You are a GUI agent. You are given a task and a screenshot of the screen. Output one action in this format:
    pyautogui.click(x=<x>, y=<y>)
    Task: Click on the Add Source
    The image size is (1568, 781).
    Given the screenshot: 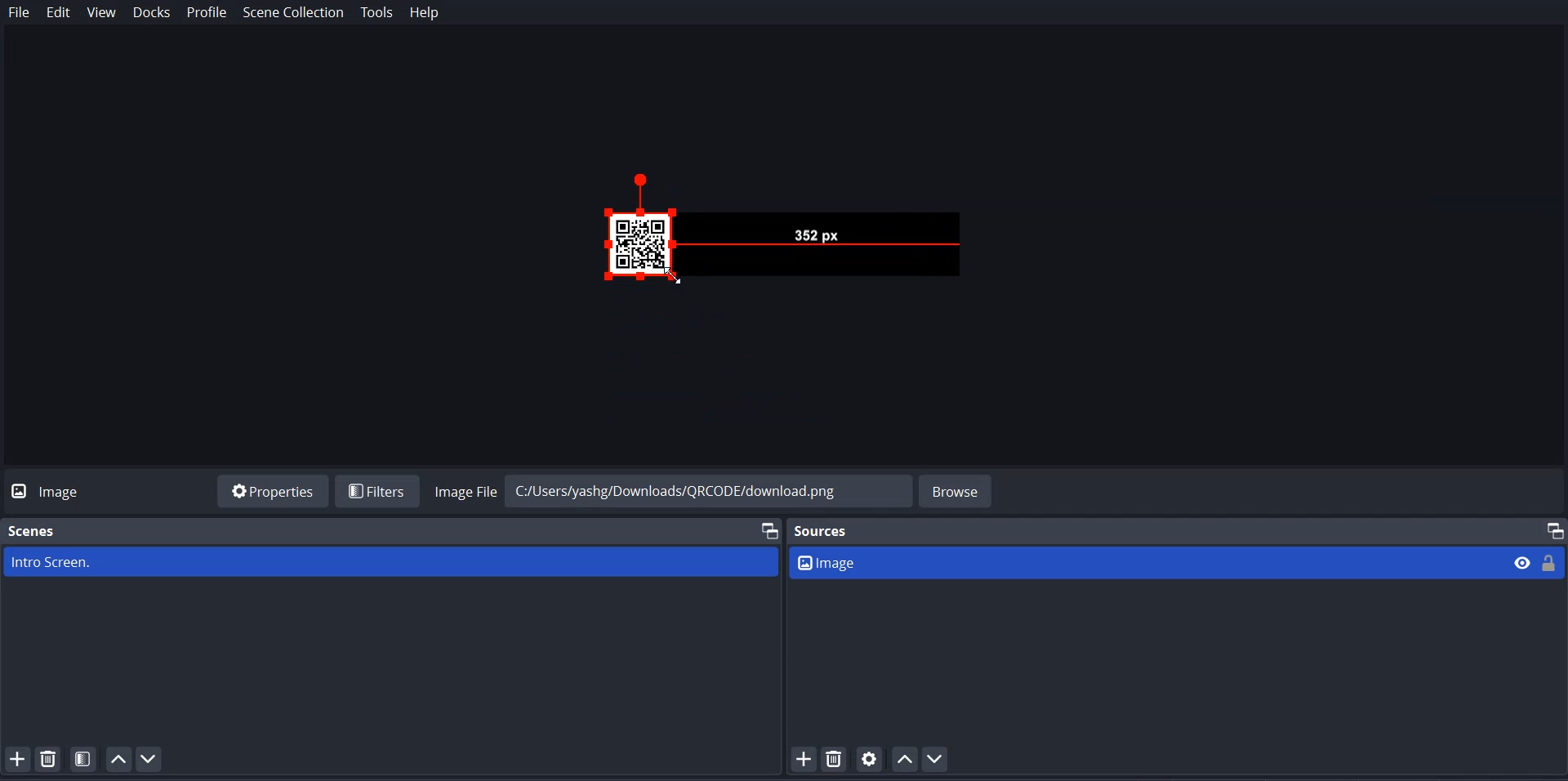 What is the action you would take?
    pyautogui.click(x=803, y=759)
    